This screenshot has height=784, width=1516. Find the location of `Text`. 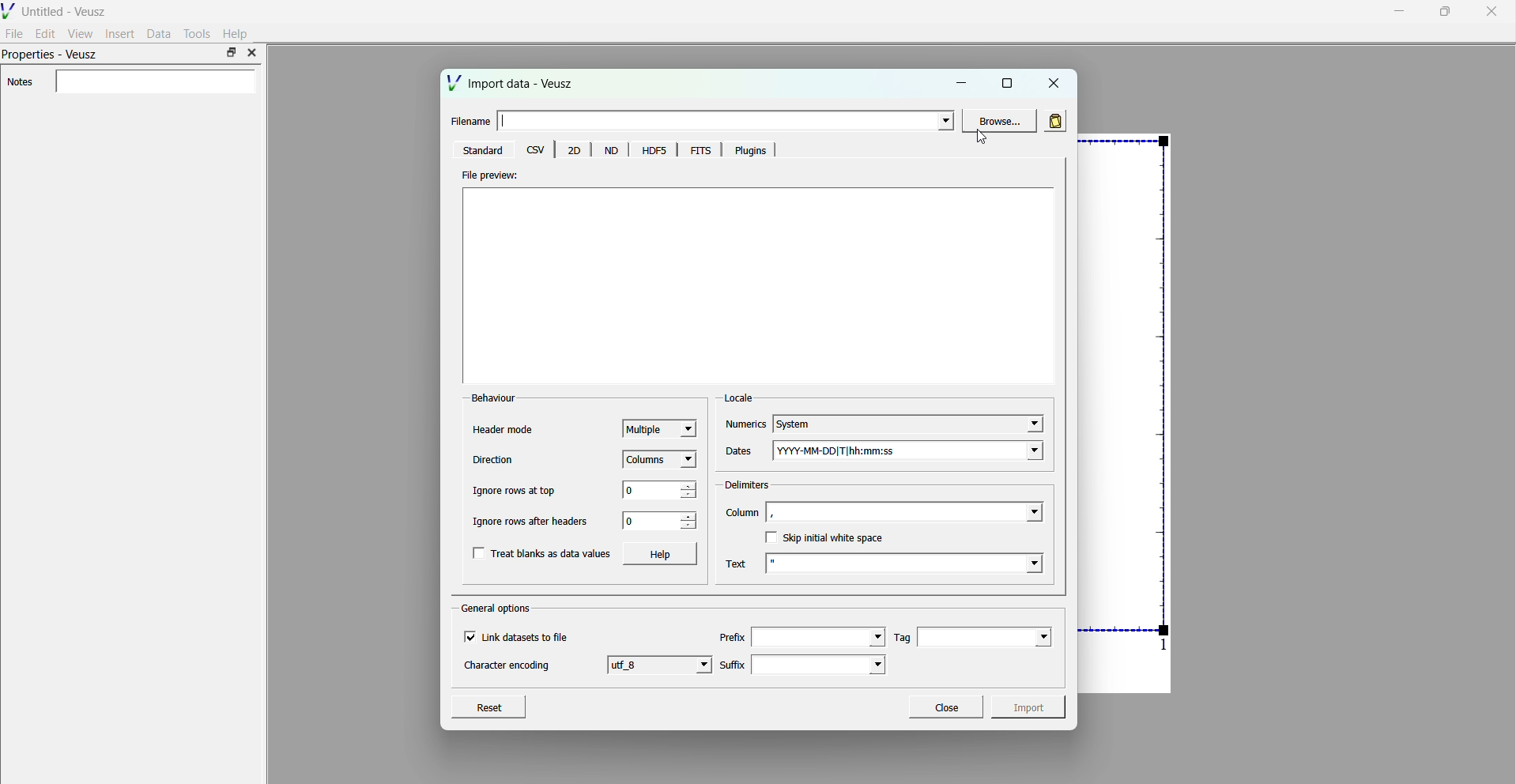

Text is located at coordinates (736, 564).